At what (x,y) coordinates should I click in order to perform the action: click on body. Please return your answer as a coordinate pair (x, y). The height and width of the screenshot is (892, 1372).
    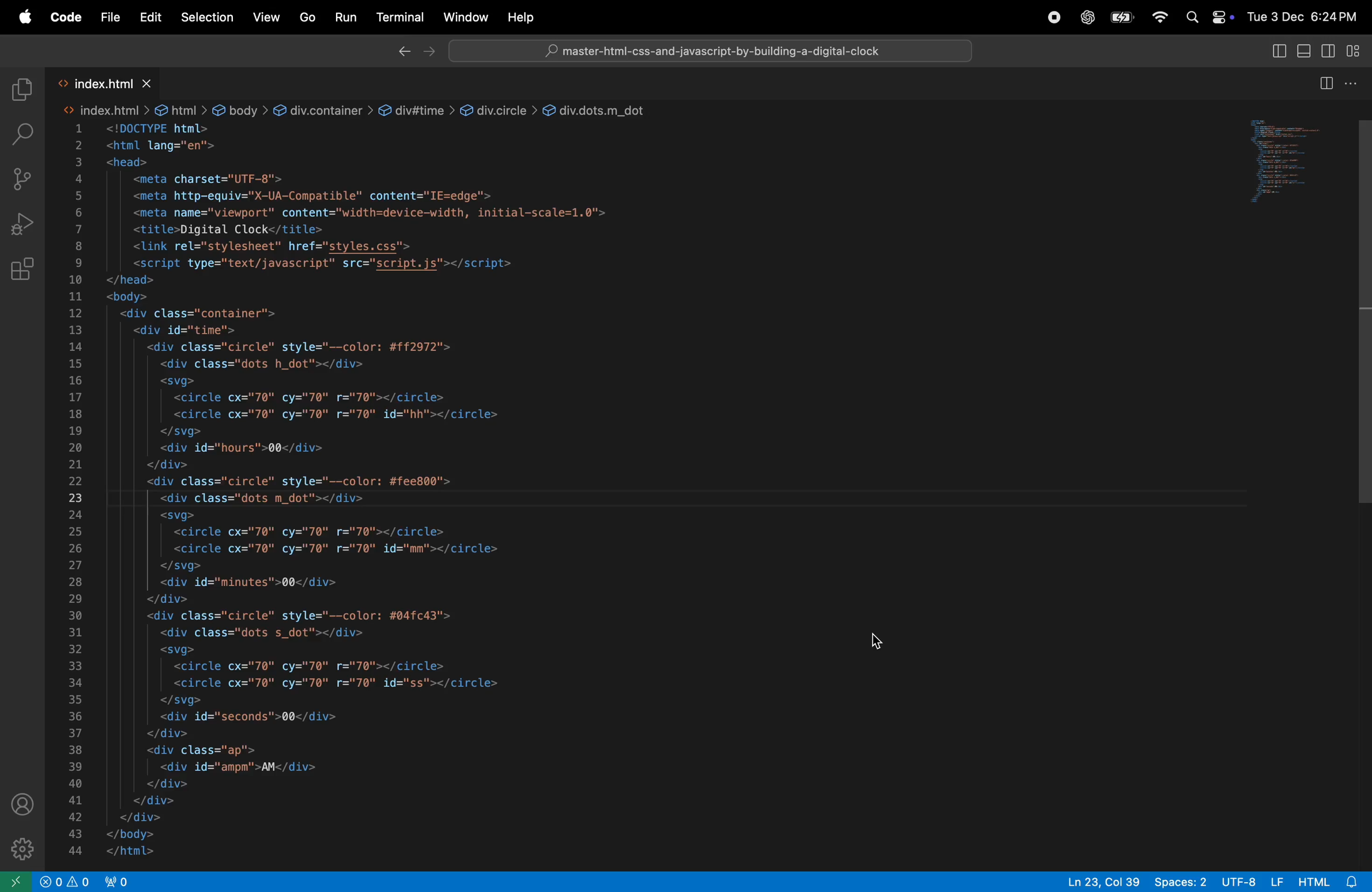
    Looking at the image, I should click on (240, 111).